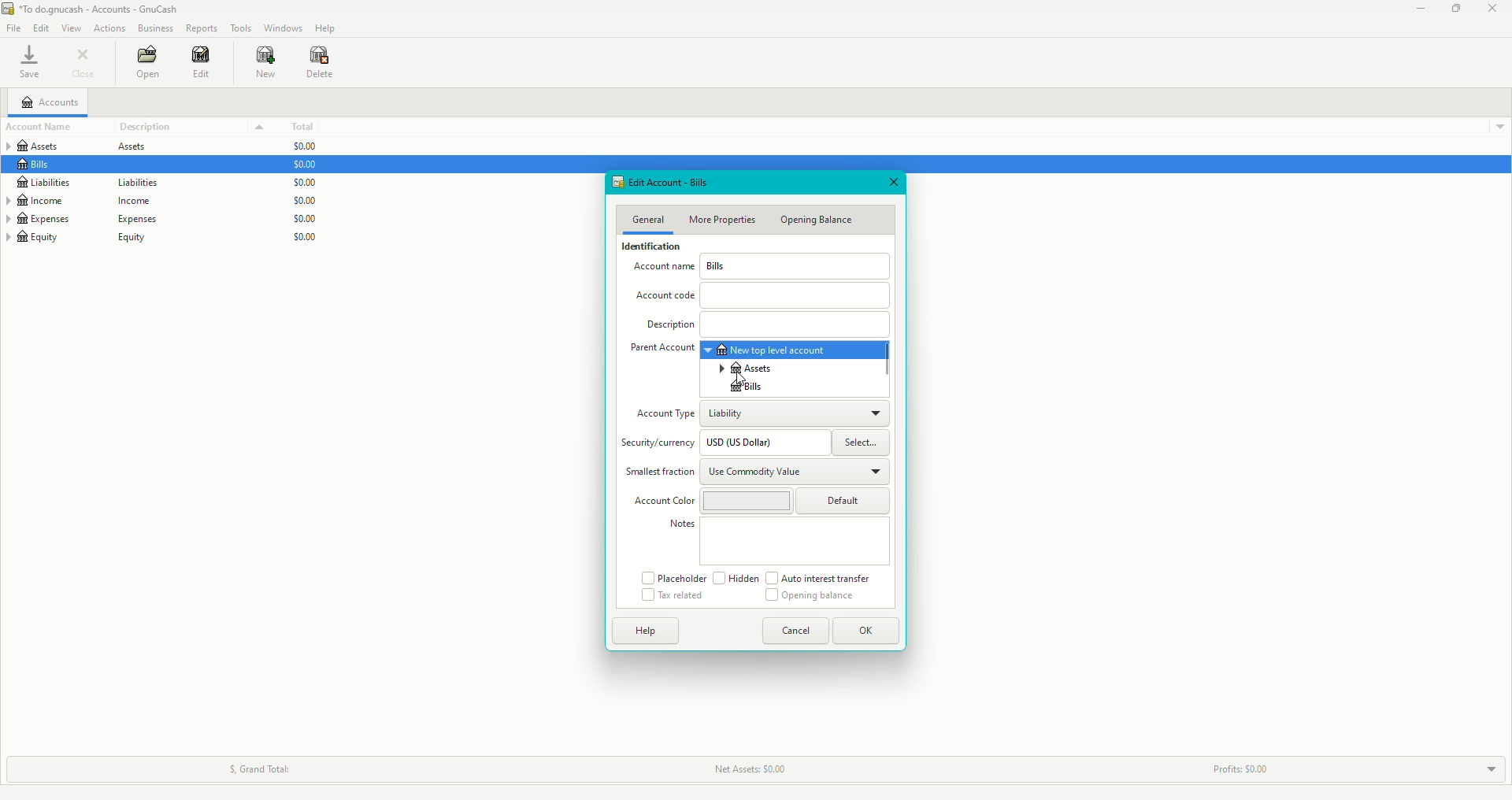  What do you see at coordinates (795, 470) in the screenshot?
I see `Use Commodity Value` at bounding box center [795, 470].